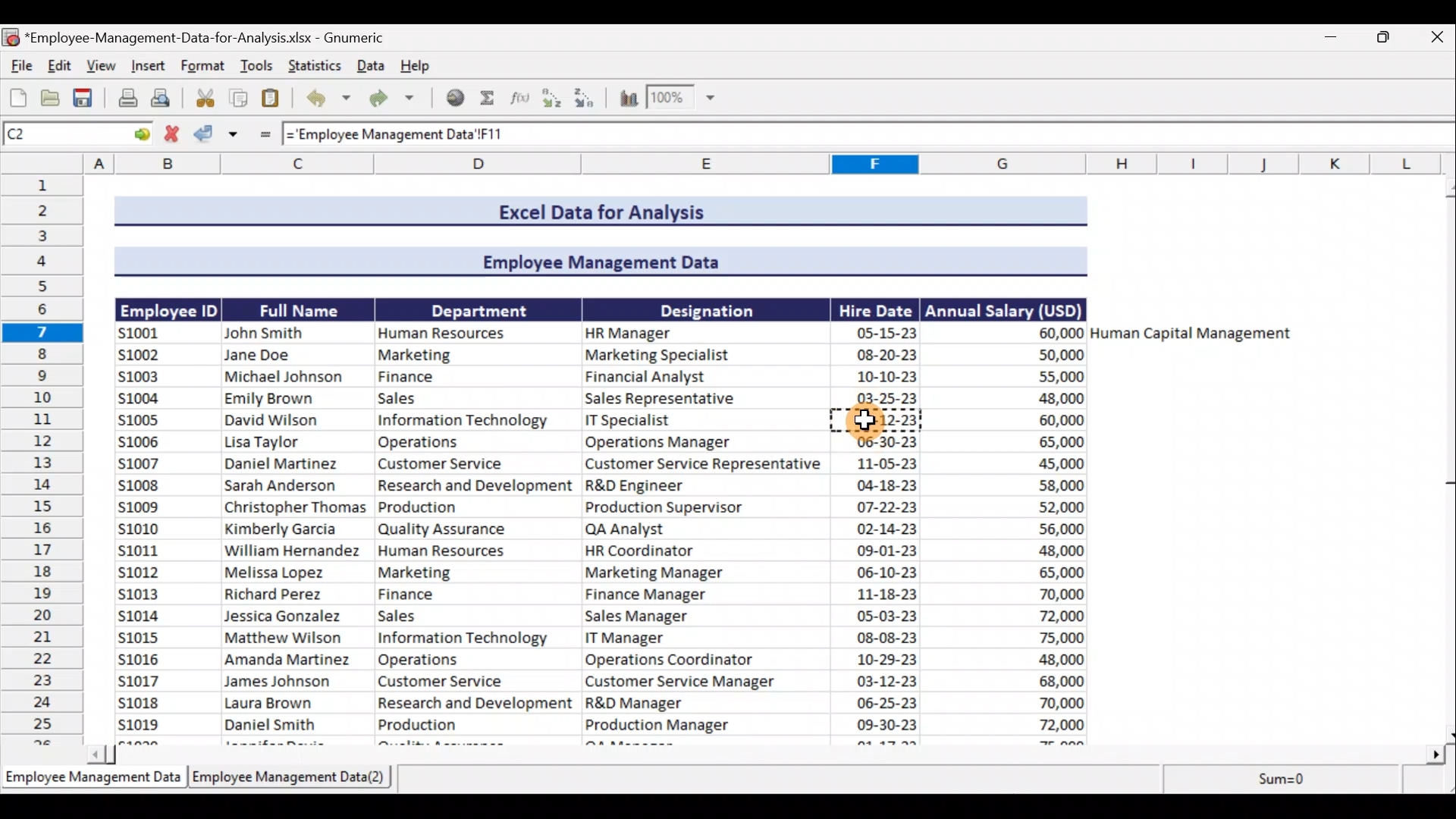 The height and width of the screenshot is (819, 1456). I want to click on Data, so click(369, 68).